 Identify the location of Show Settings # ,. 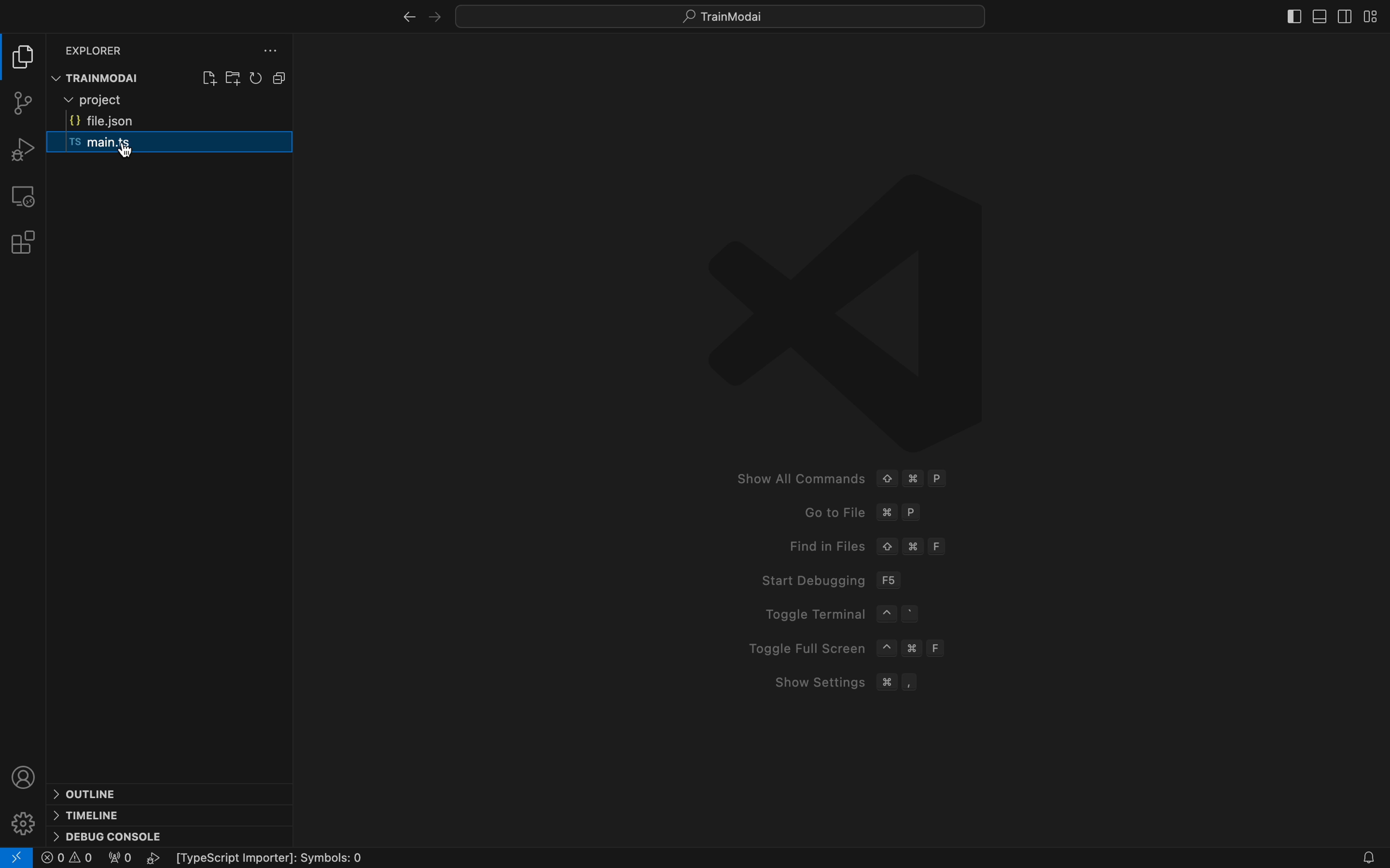
(836, 684).